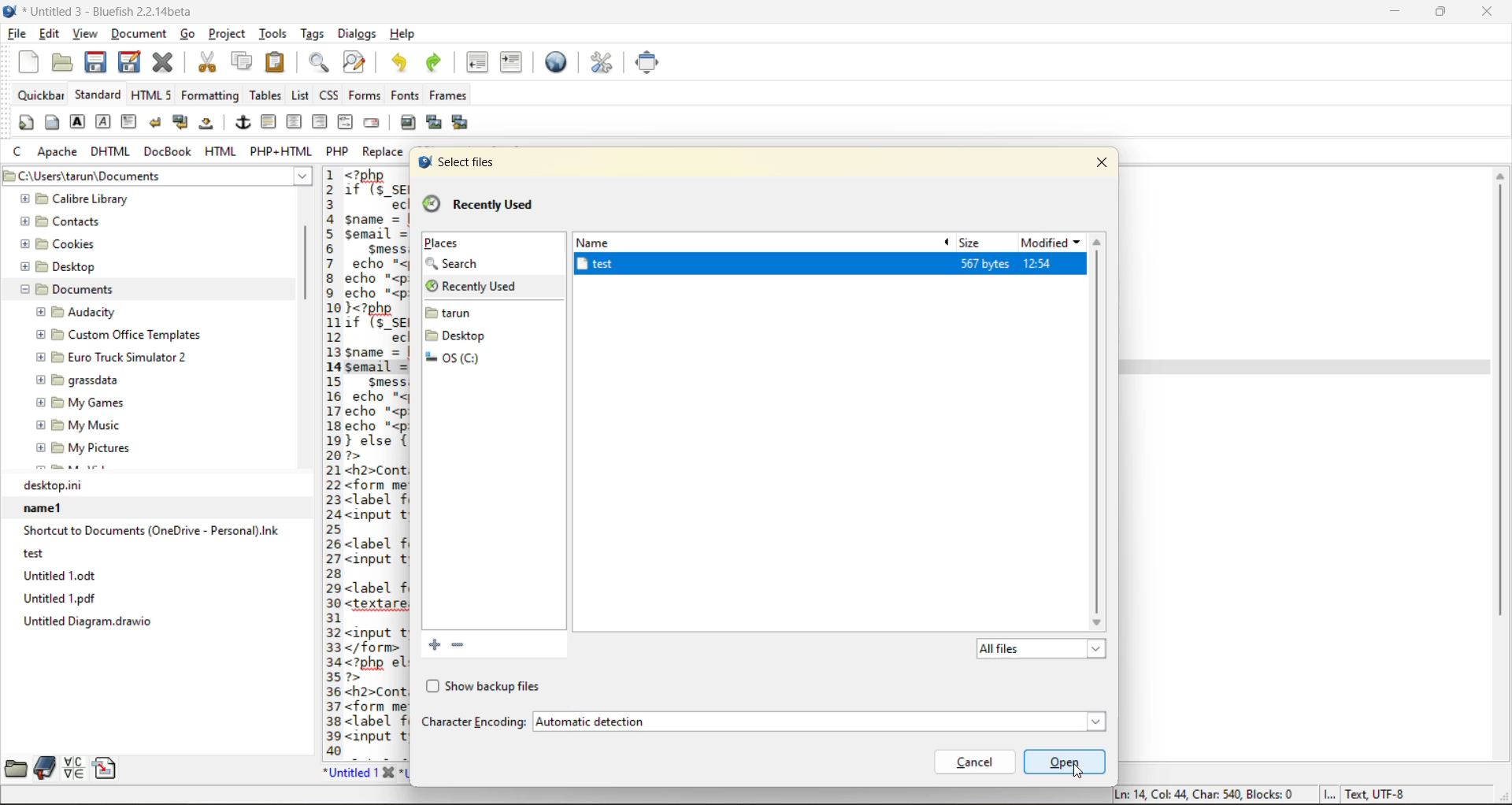 The height and width of the screenshot is (805, 1512). I want to click on bookmarks, so click(43, 768).